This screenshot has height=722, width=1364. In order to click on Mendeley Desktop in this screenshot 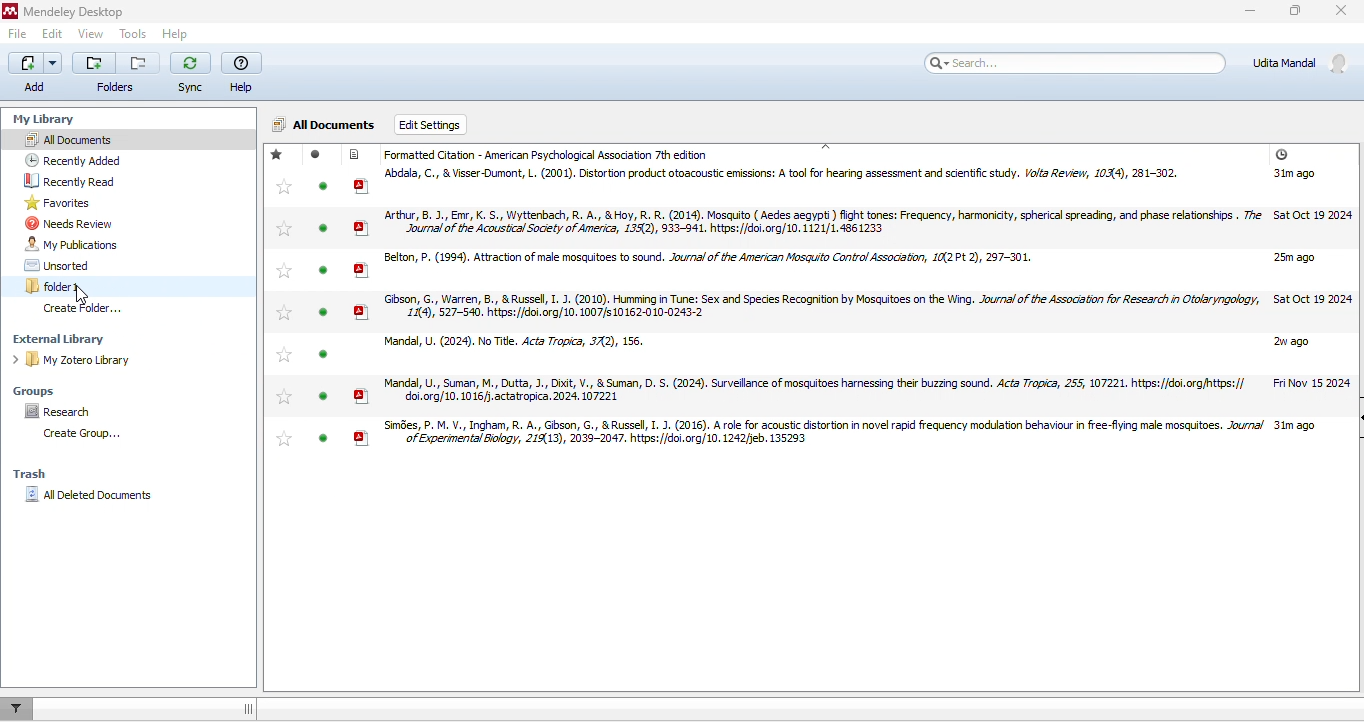, I will do `click(85, 11)`.